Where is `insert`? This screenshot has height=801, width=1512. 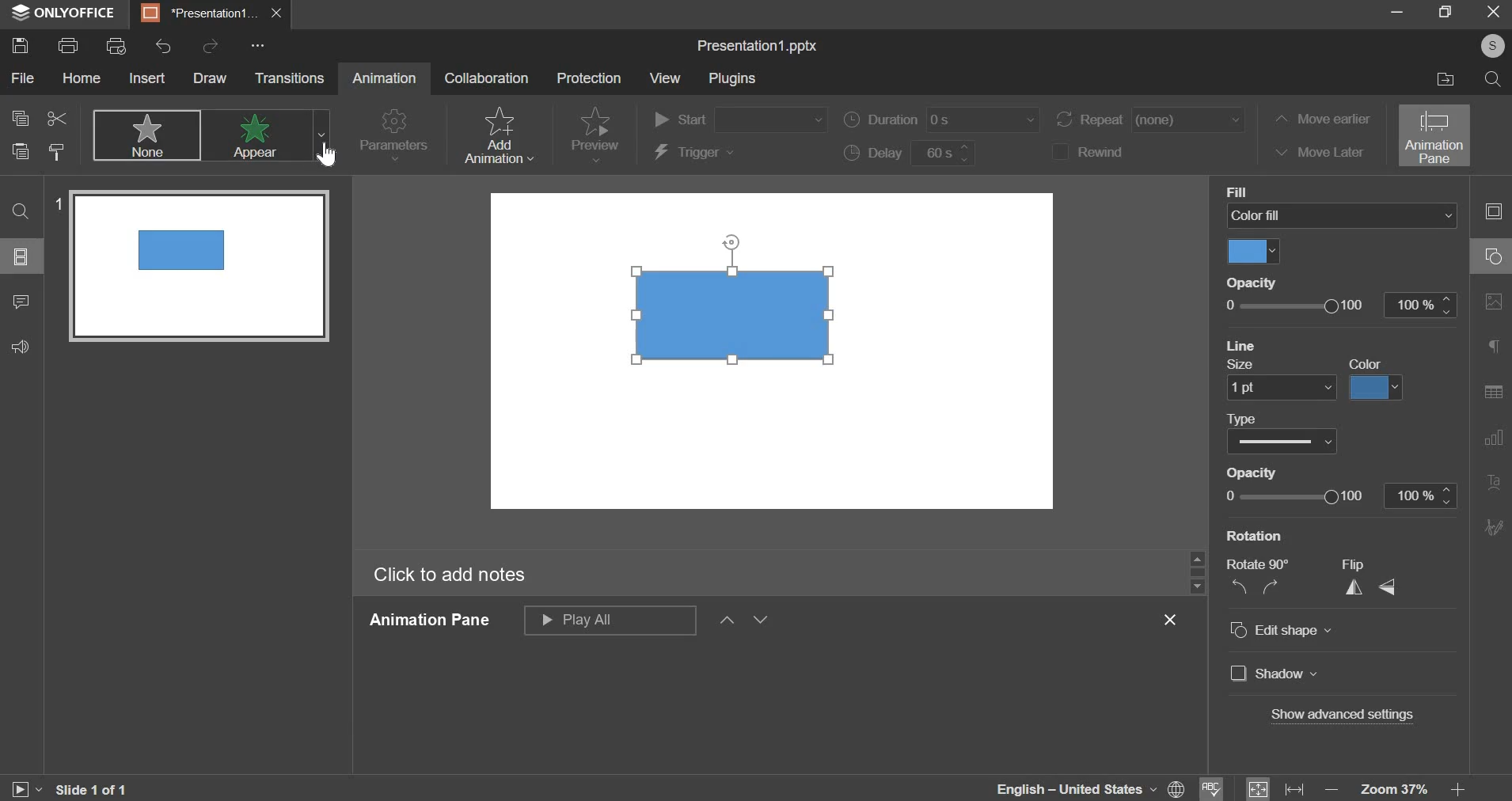
insert is located at coordinates (149, 80).